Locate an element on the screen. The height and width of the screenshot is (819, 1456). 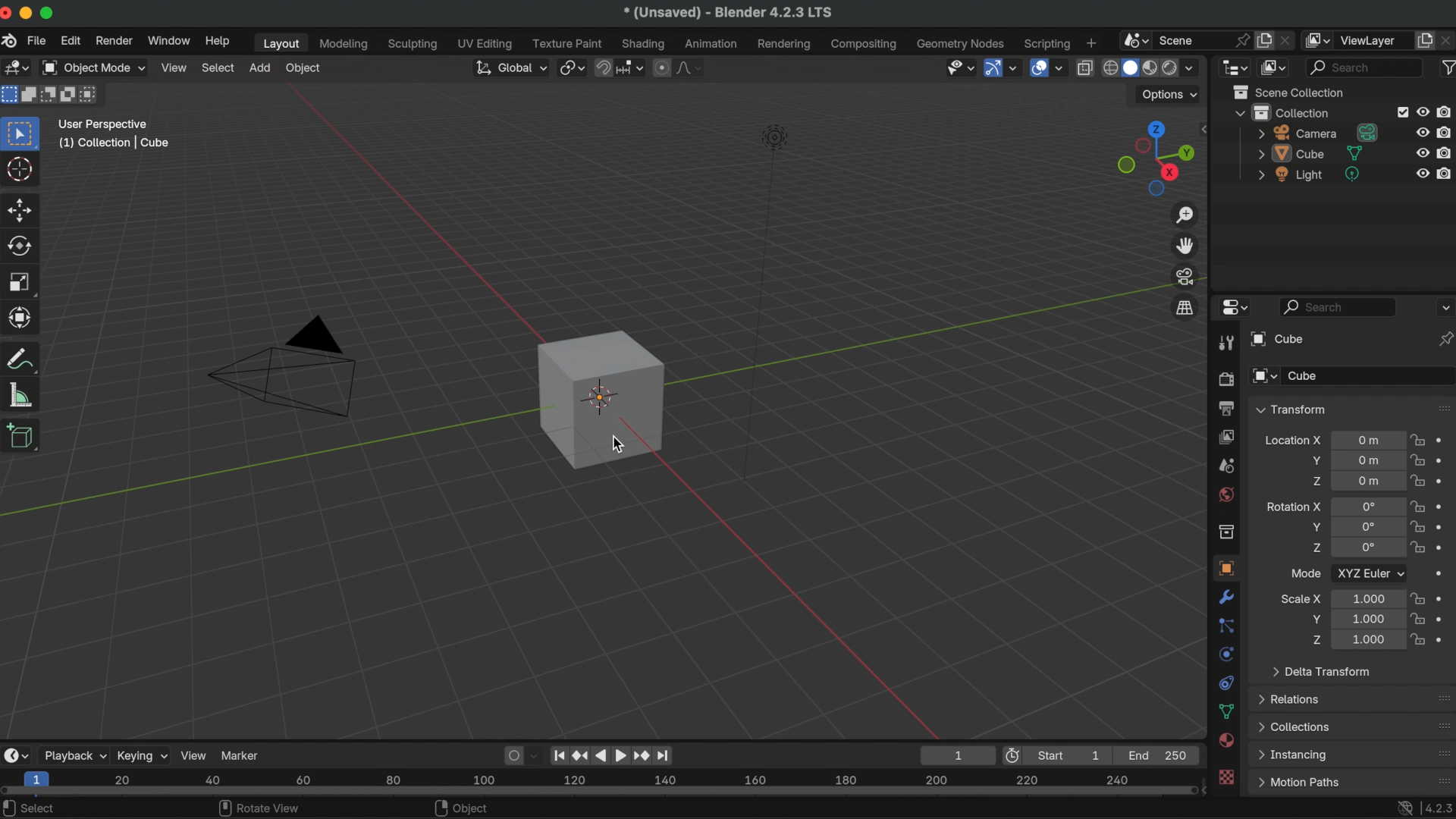
object is located at coordinates (465, 808).